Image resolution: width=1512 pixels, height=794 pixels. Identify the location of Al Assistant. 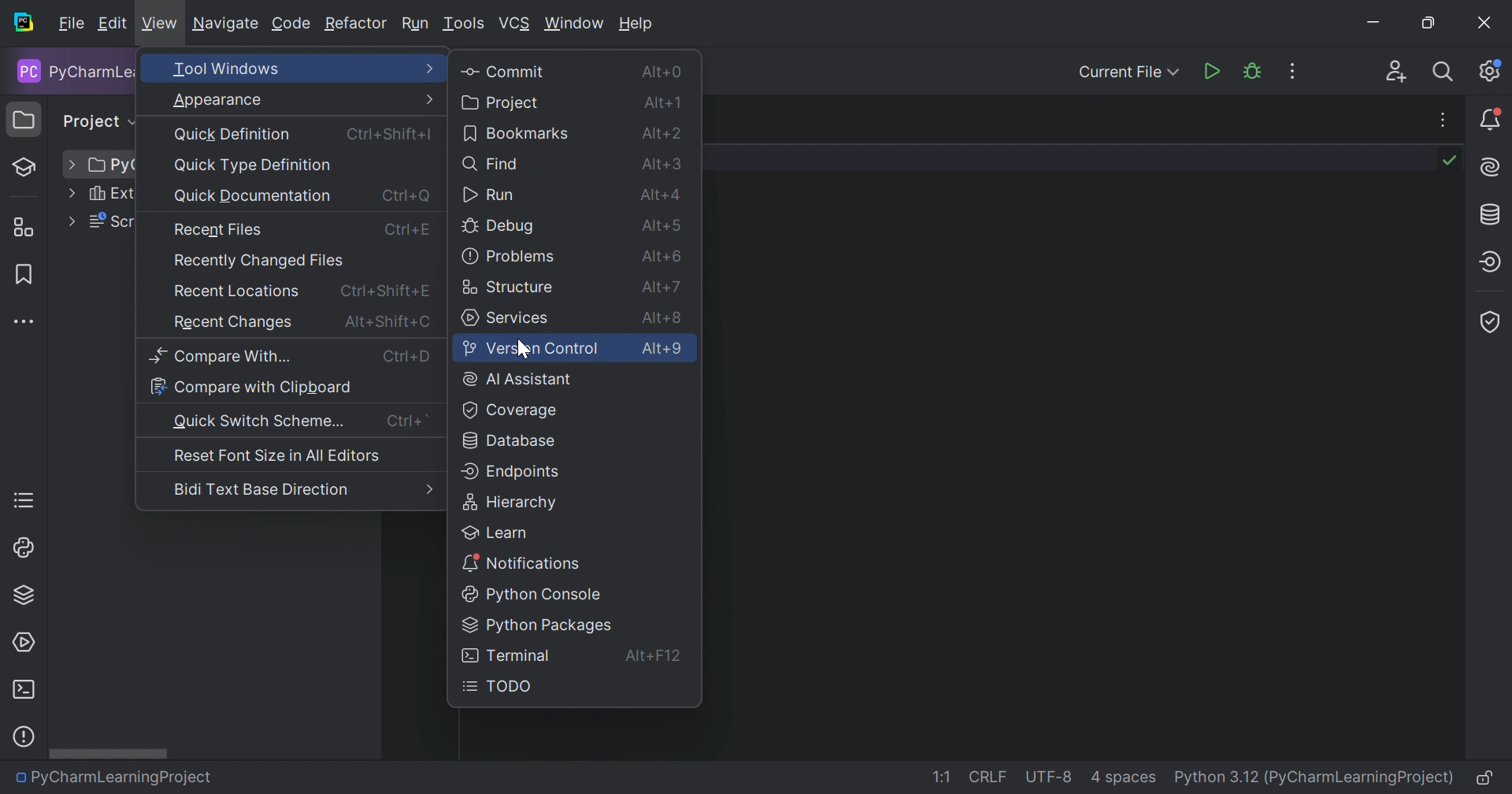
(520, 378).